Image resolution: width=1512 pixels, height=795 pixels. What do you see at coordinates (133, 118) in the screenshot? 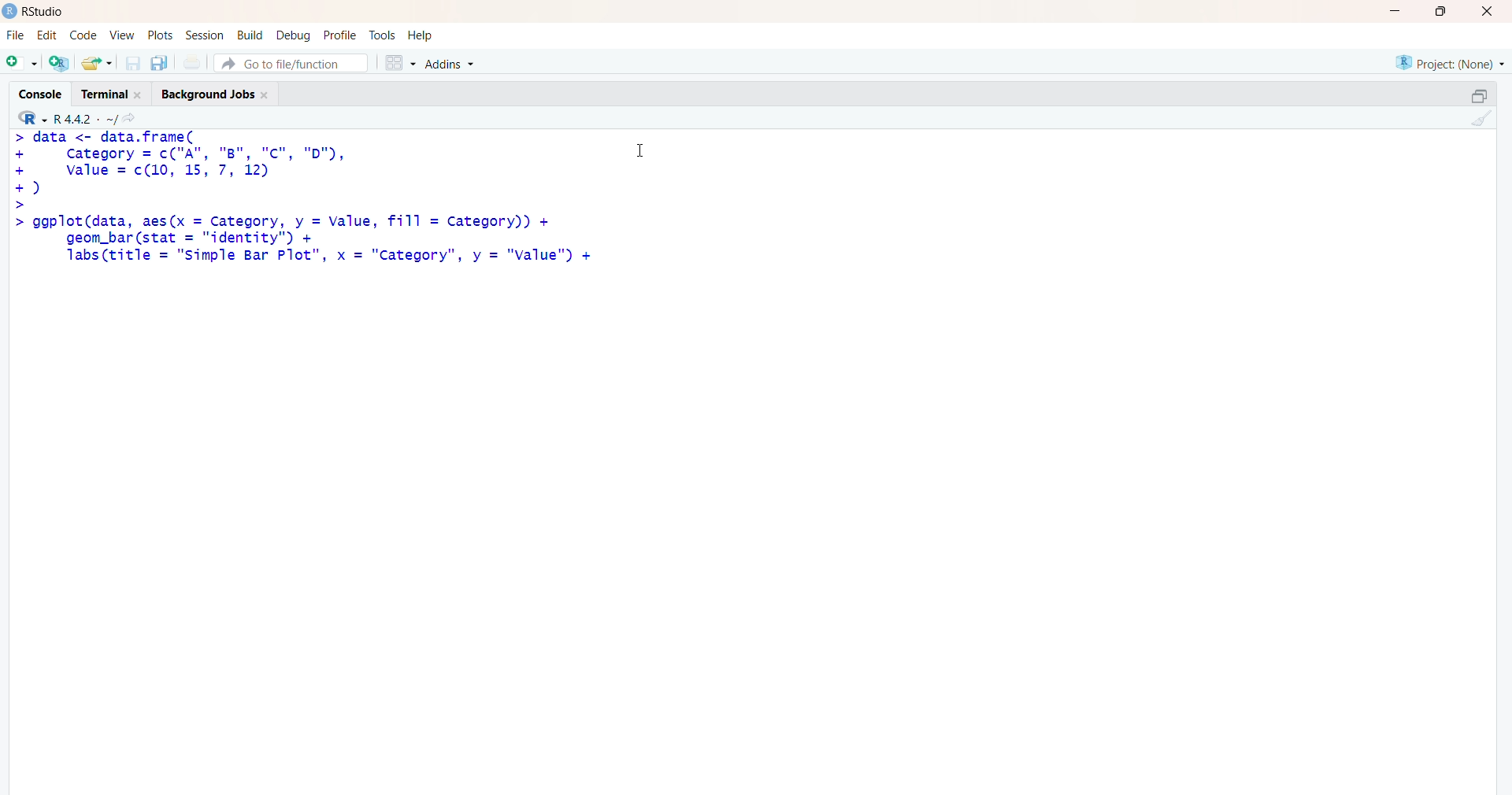
I see `go to directiory` at bounding box center [133, 118].